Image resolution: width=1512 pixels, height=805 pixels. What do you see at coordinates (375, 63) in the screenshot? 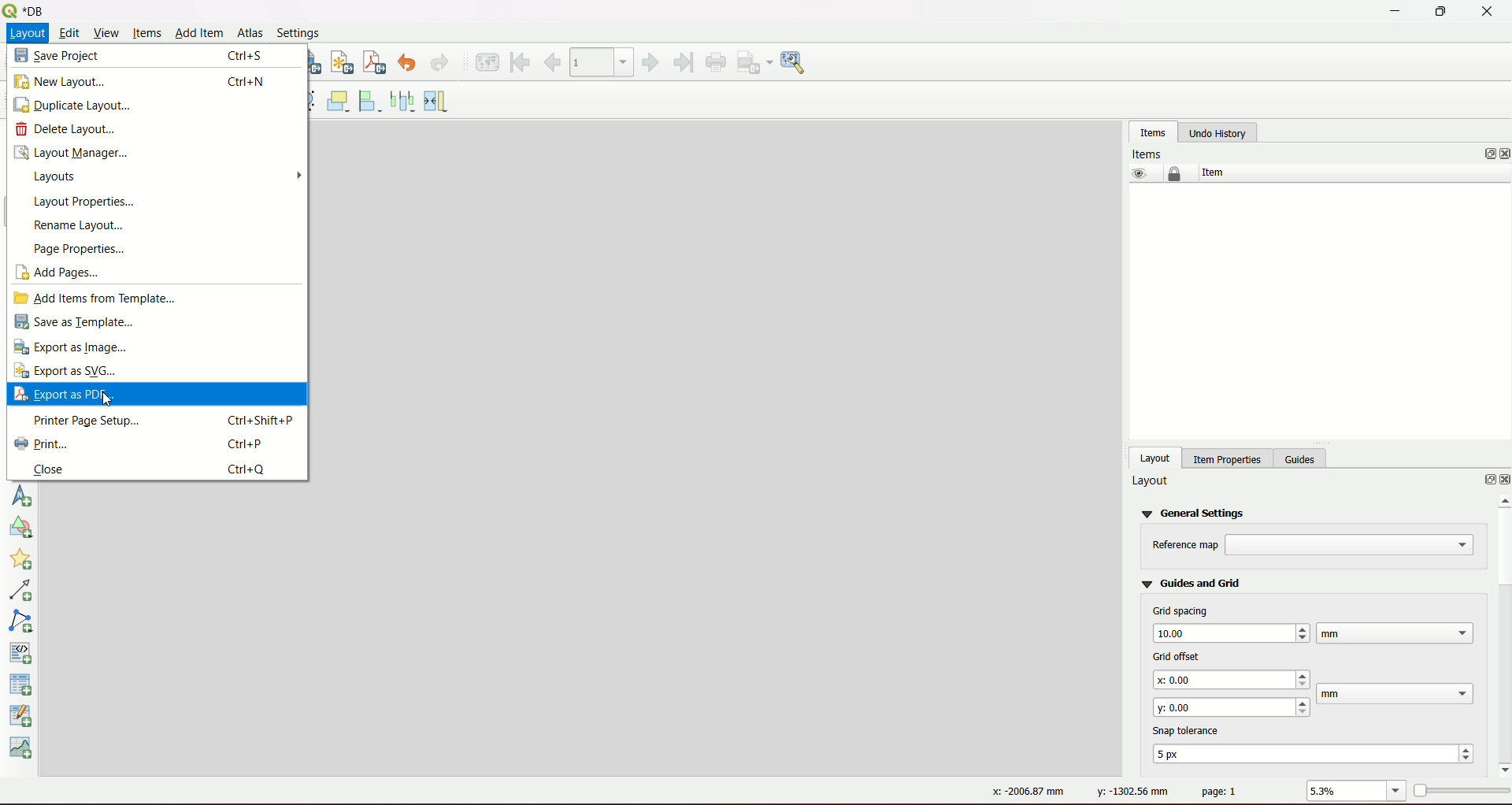
I see `export as pdf` at bounding box center [375, 63].